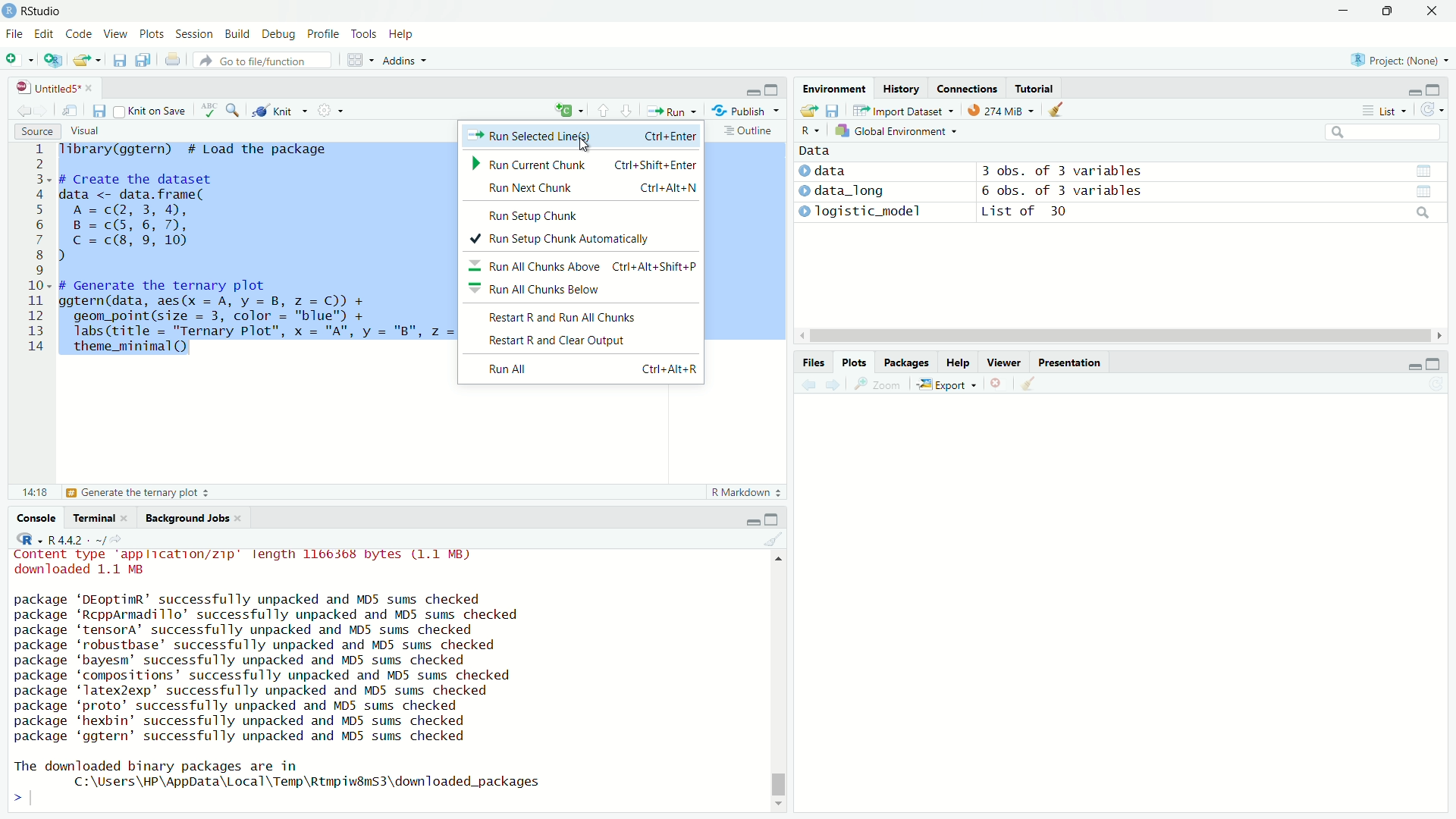  What do you see at coordinates (40, 518) in the screenshot?
I see `Console` at bounding box center [40, 518].